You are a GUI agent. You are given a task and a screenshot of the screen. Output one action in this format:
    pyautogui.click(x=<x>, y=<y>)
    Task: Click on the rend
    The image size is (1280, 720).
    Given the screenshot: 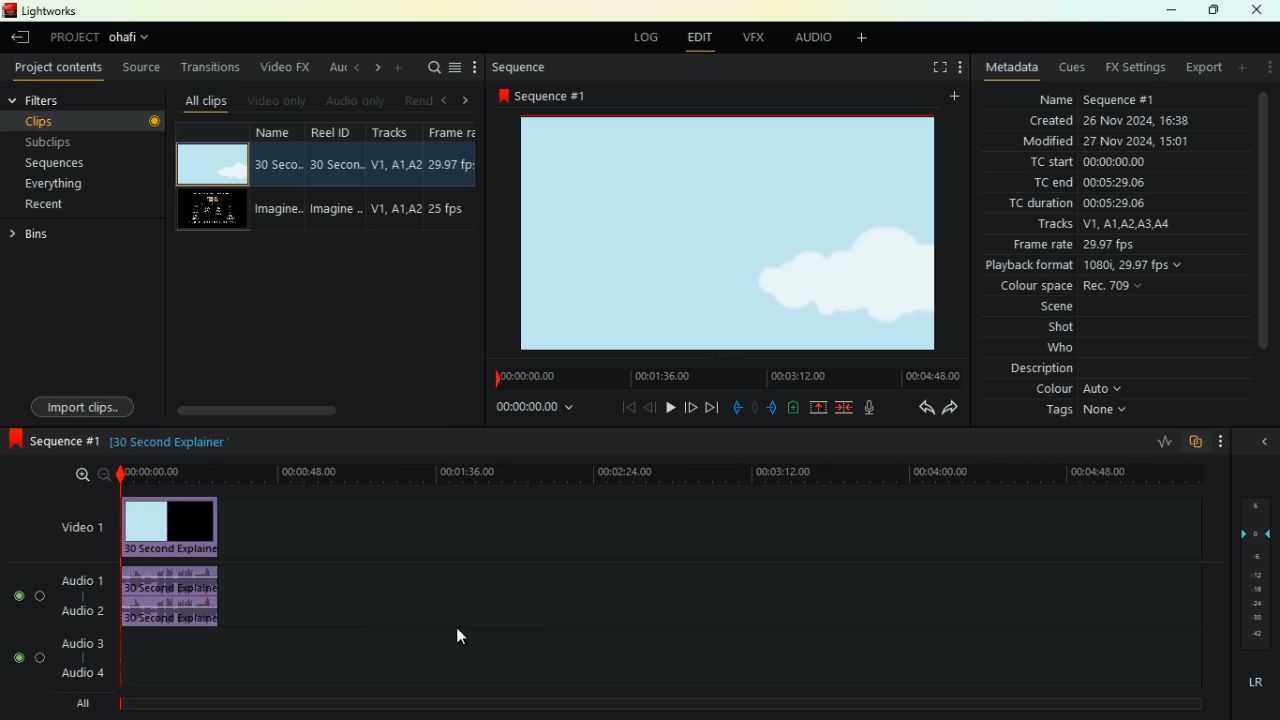 What is the action you would take?
    pyautogui.click(x=420, y=101)
    